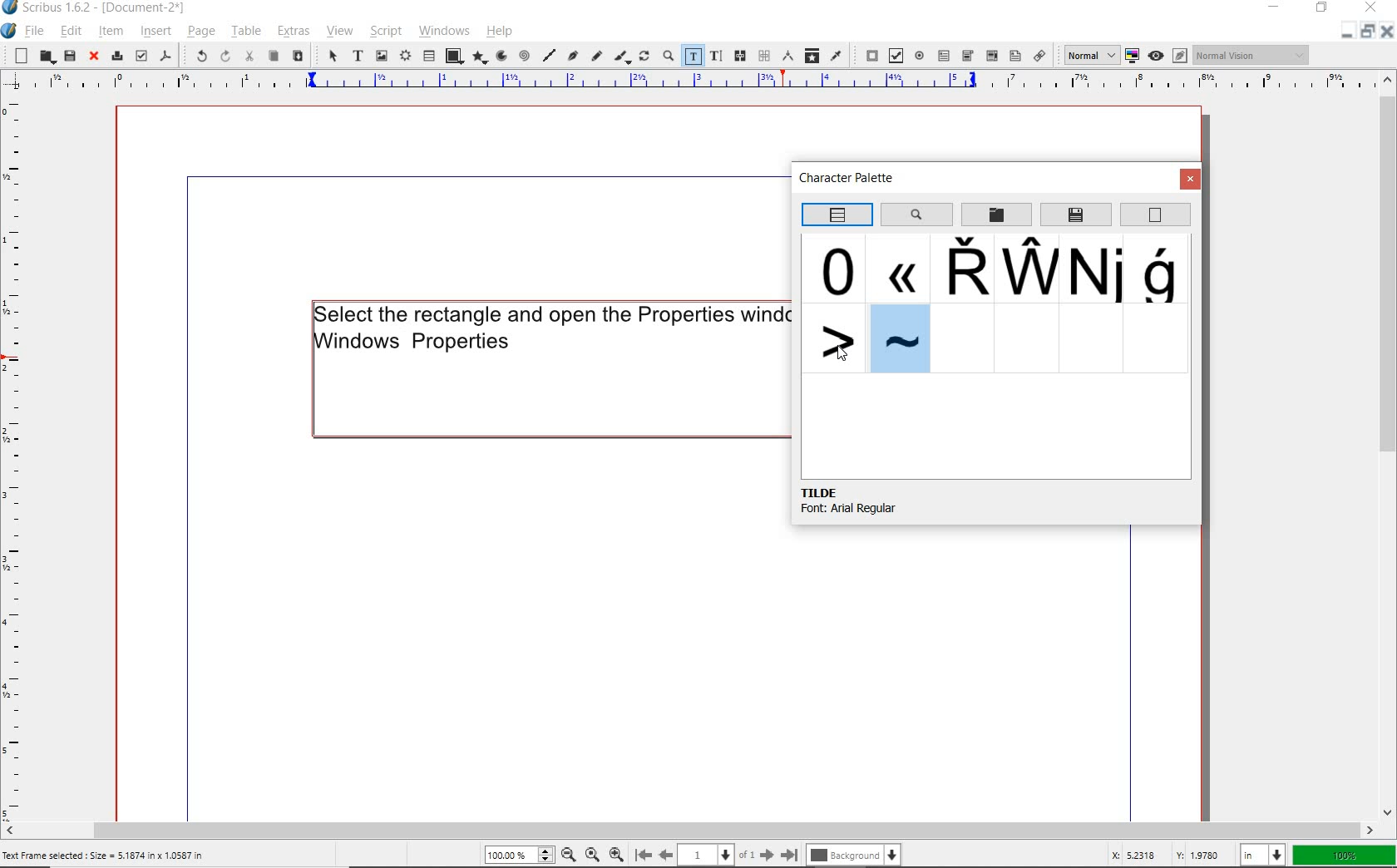 The height and width of the screenshot is (868, 1397). What do you see at coordinates (944, 55) in the screenshot?
I see `pdf text field` at bounding box center [944, 55].